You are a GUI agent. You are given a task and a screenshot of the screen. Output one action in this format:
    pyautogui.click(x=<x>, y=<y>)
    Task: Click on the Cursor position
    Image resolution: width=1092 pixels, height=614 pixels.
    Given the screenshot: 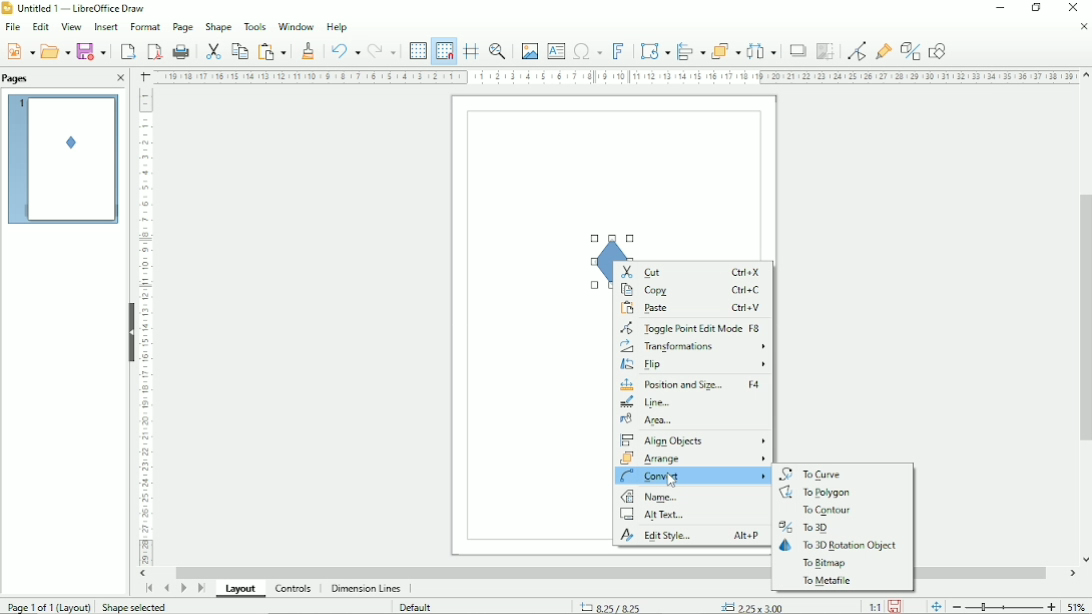 What is the action you would take?
    pyautogui.click(x=687, y=604)
    